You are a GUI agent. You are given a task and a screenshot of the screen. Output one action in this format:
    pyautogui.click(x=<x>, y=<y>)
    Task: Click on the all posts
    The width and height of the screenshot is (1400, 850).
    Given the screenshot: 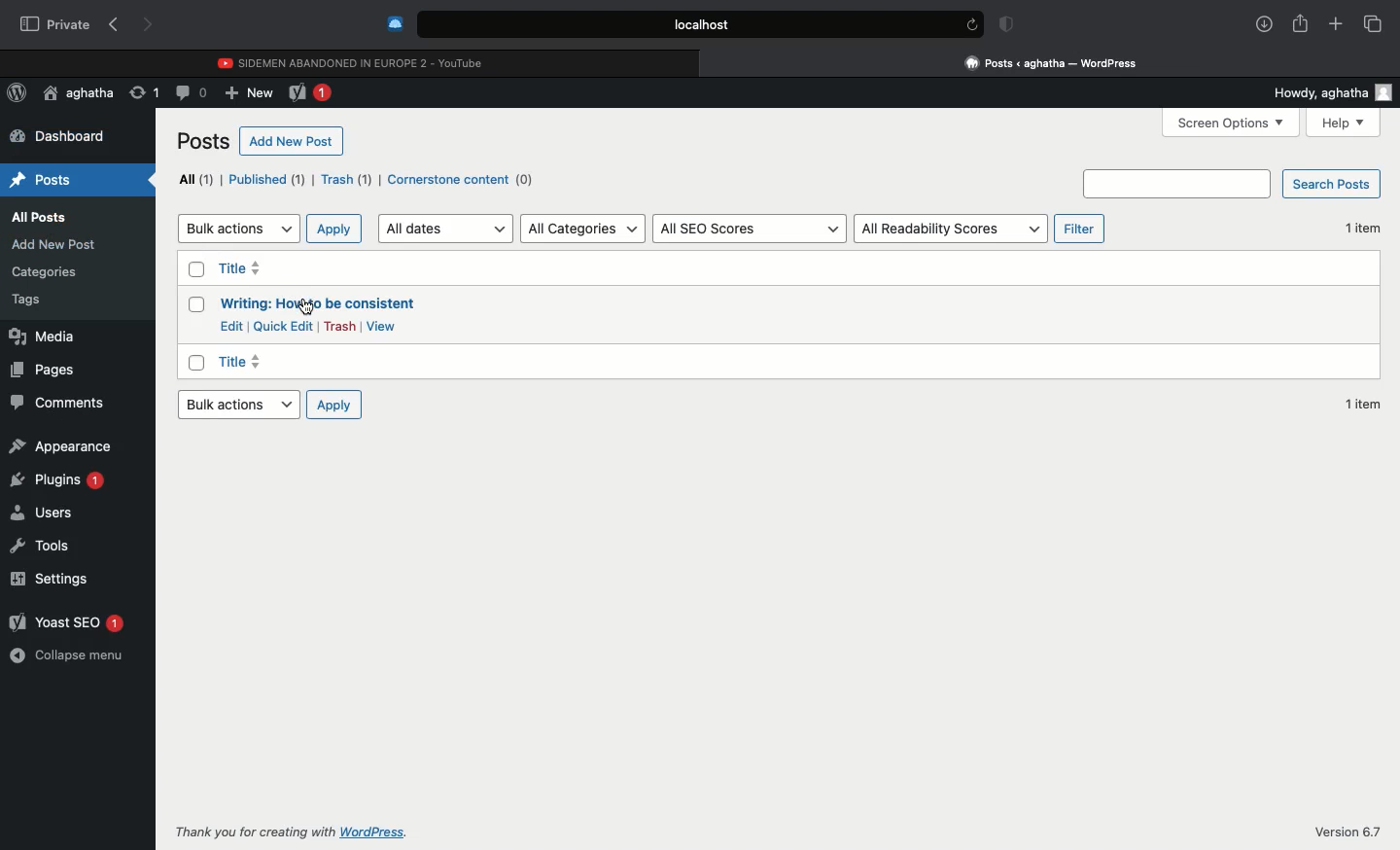 What is the action you would take?
    pyautogui.click(x=43, y=217)
    